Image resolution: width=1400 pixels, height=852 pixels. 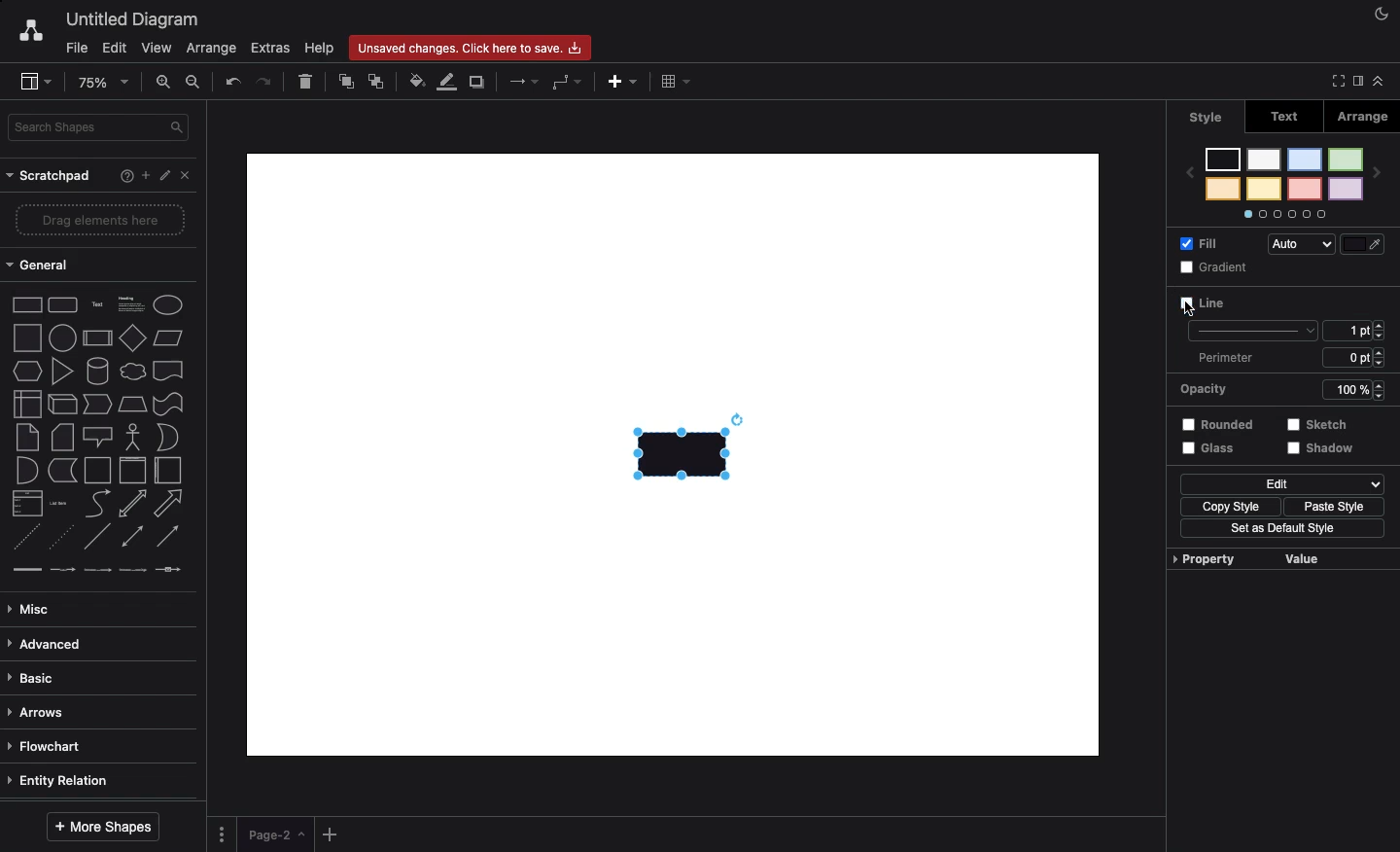 What do you see at coordinates (60, 436) in the screenshot?
I see `card` at bounding box center [60, 436].